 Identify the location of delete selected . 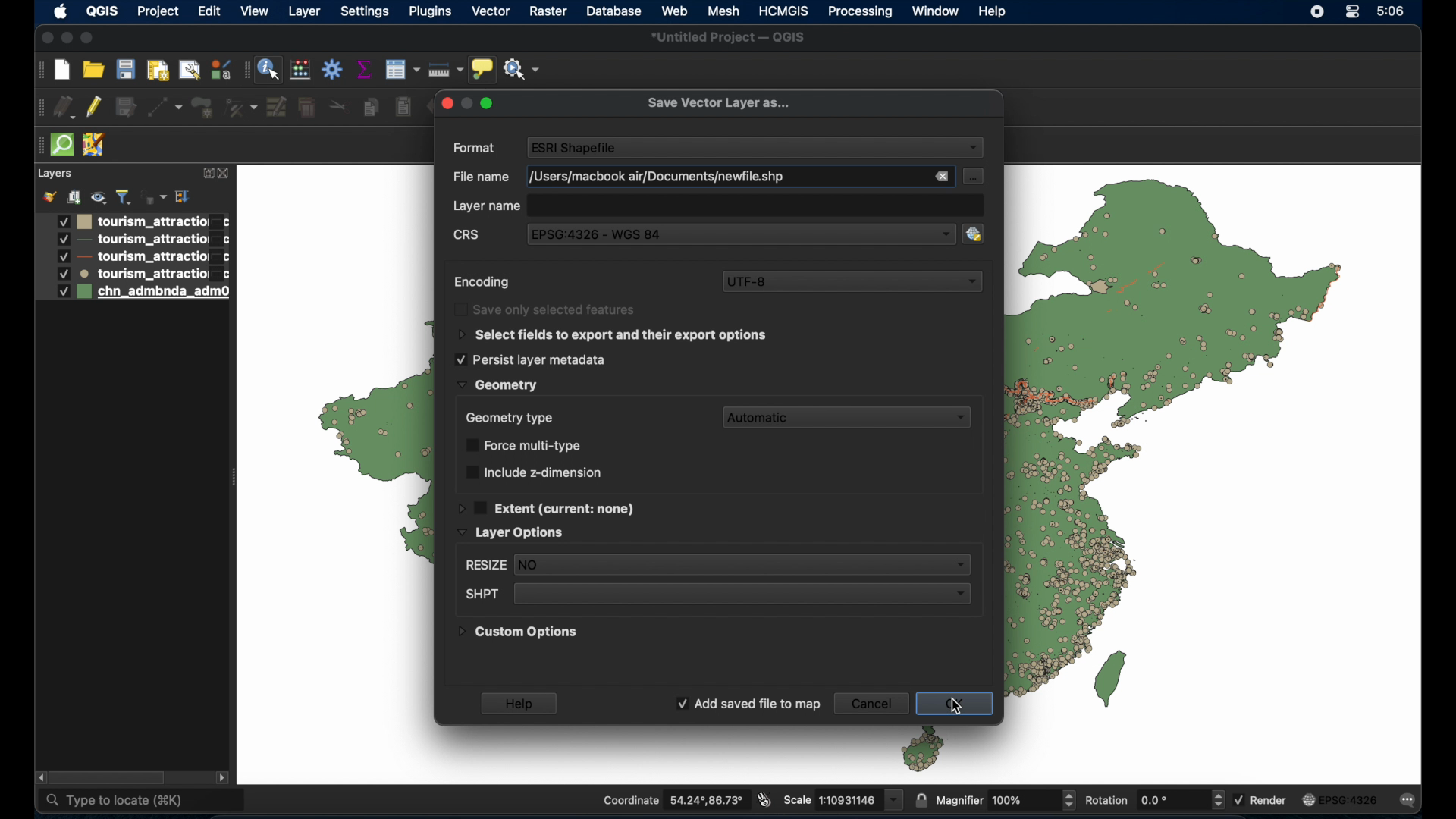
(306, 108).